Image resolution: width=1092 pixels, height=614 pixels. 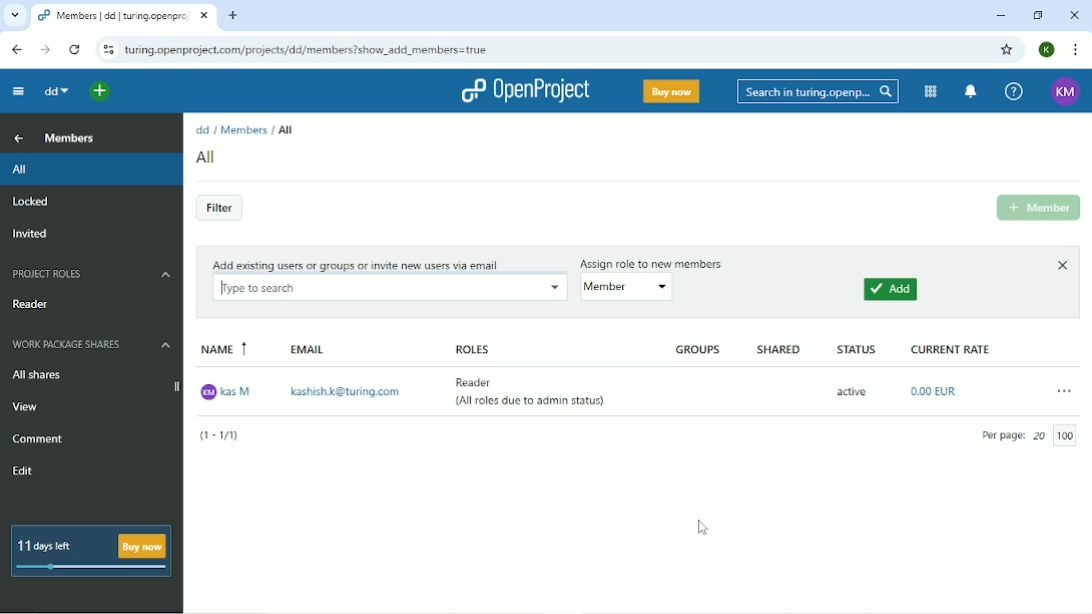 What do you see at coordinates (1005, 48) in the screenshot?
I see `Bookmark this tab` at bounding box center [1005, 48].